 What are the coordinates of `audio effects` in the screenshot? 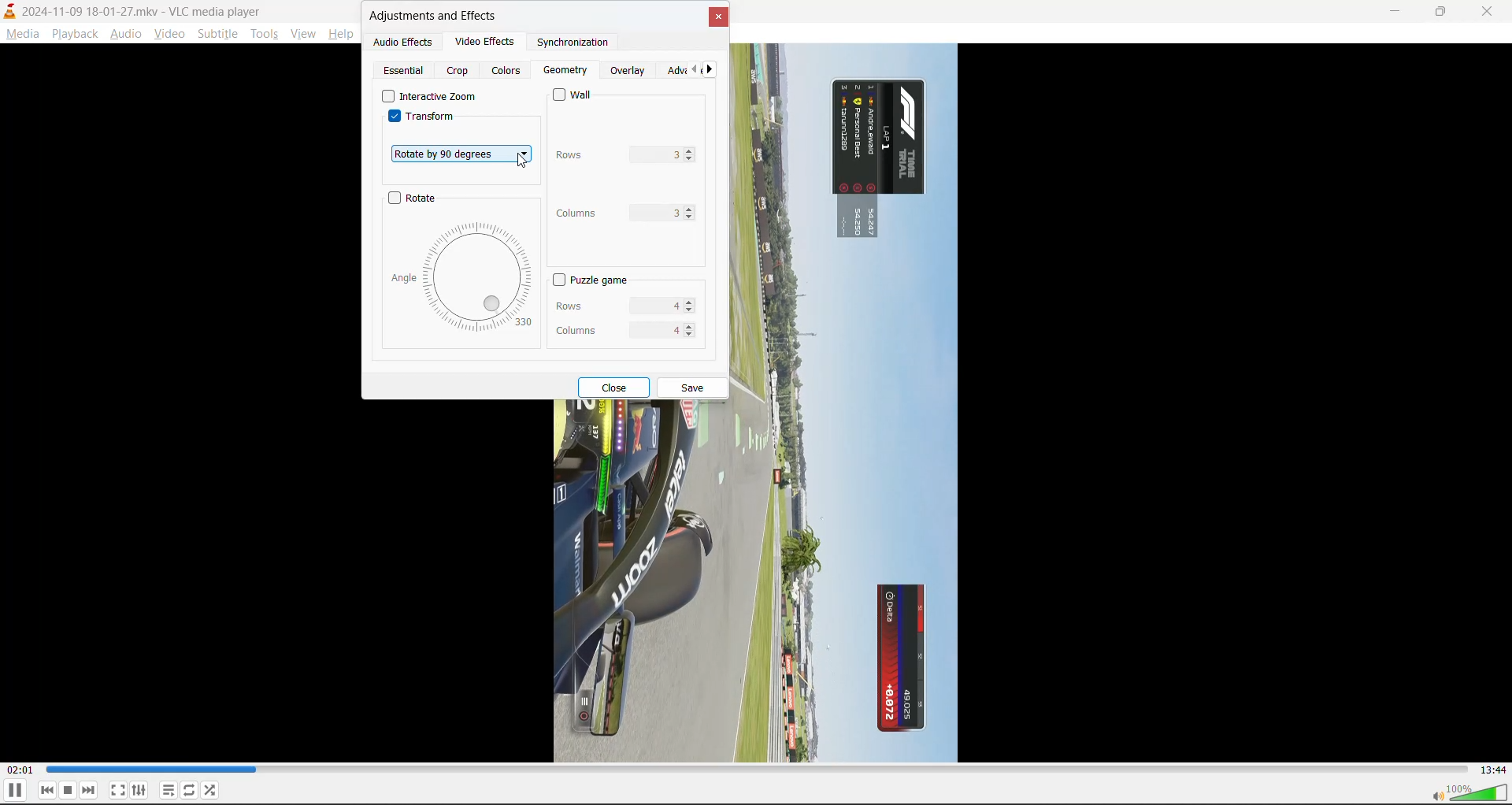 It's located at (404, 43).